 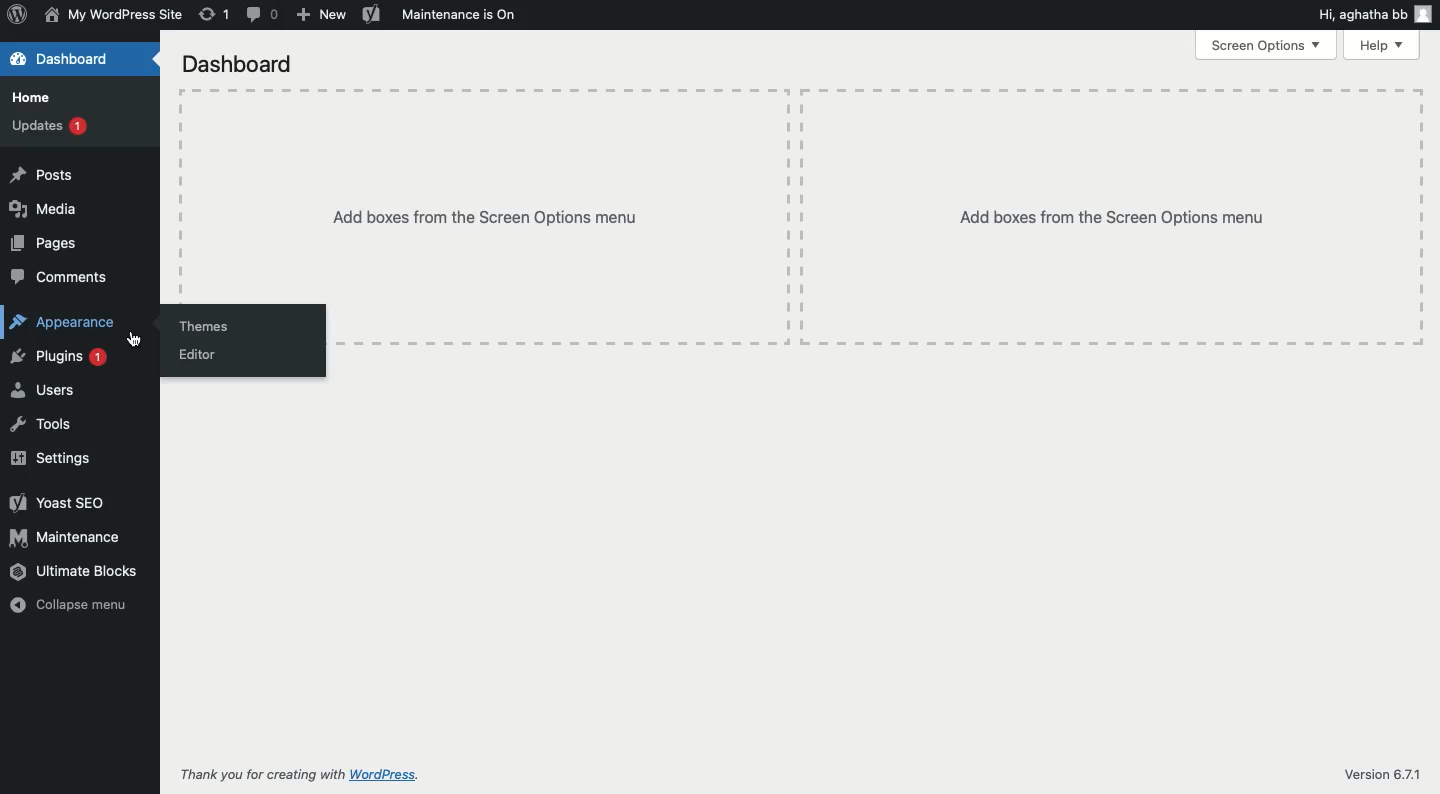 What do you see at coordinates (1266, 45) in the screenshot?
I see `Screen options` at bounding box center [1266, 45].